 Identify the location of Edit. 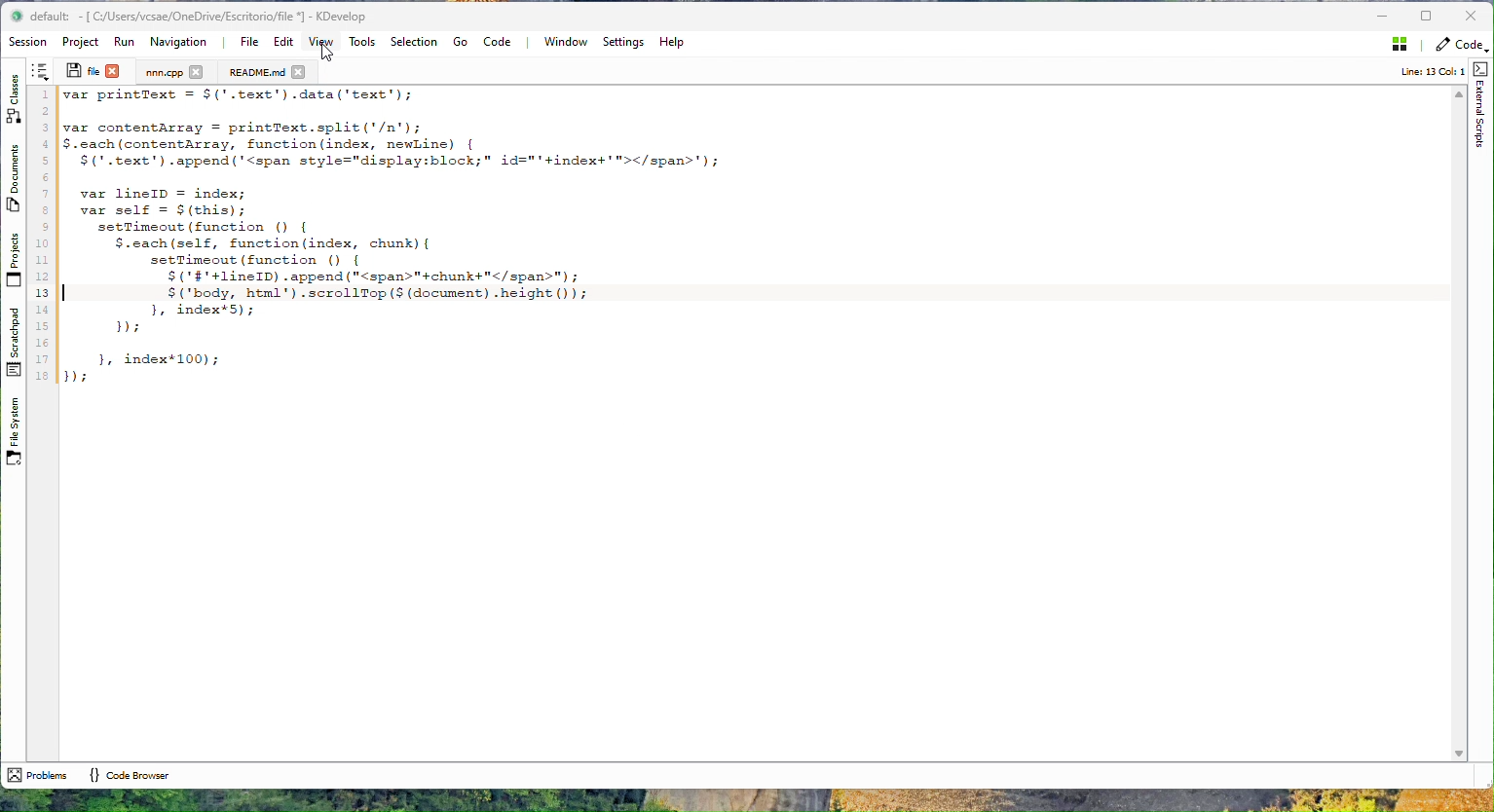
(280, 42).